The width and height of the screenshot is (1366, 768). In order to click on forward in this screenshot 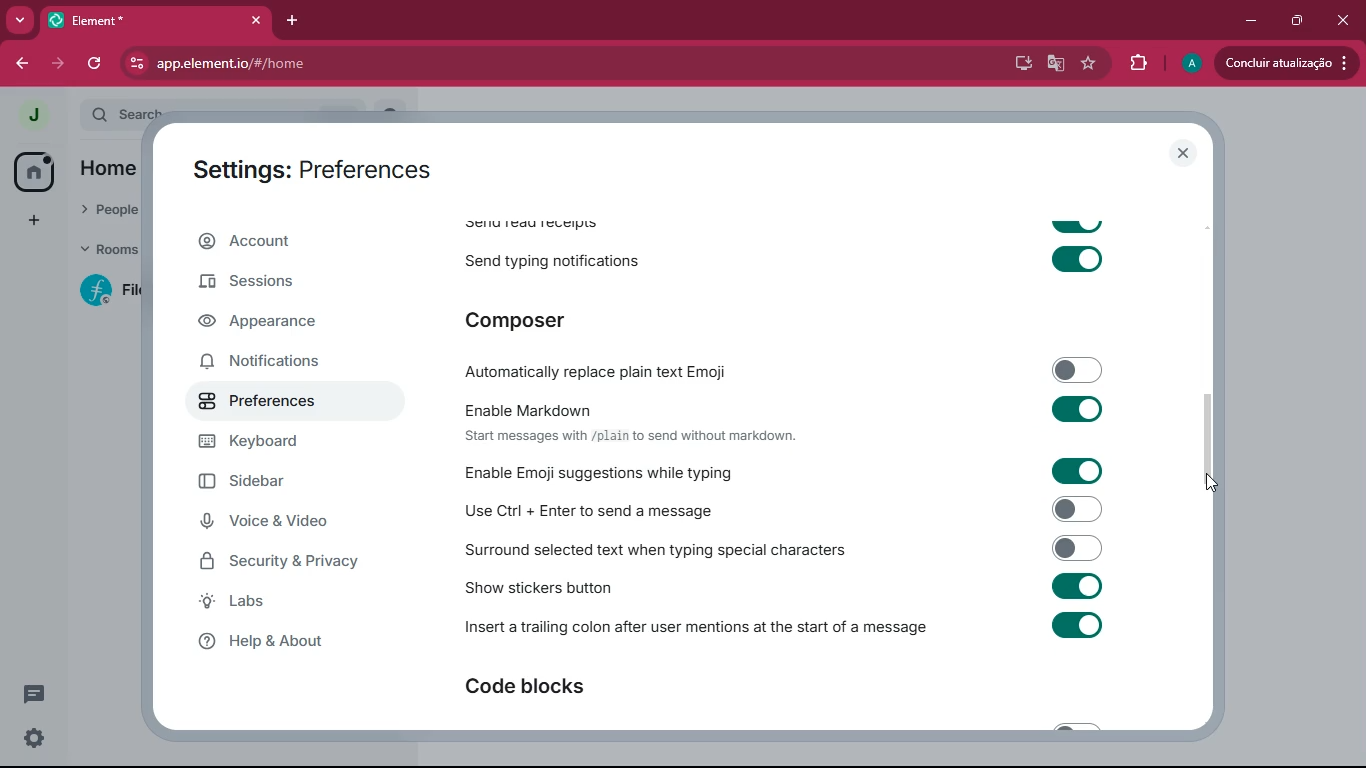, I will do `click(55, 63)`.